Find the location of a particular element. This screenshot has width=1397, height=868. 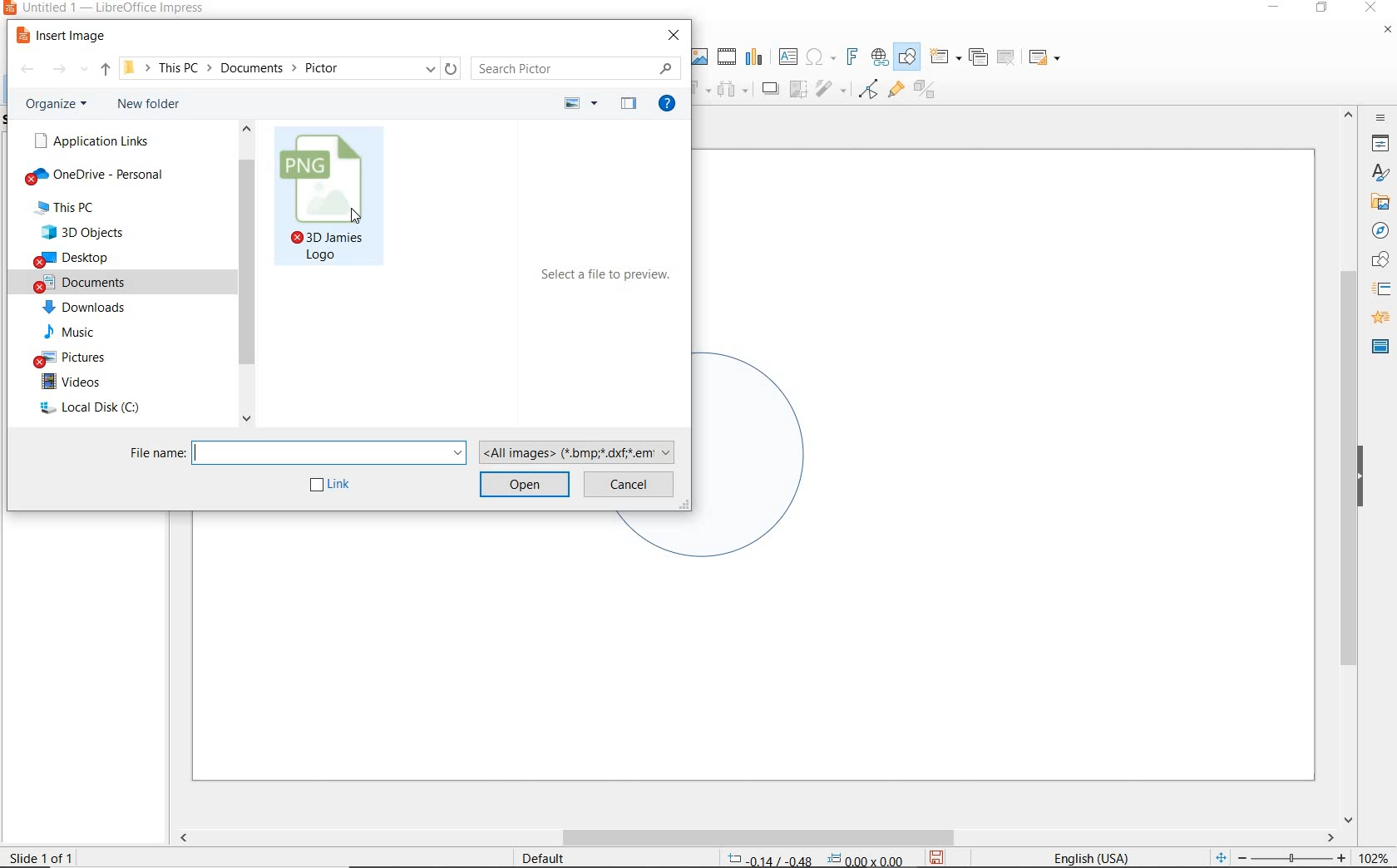

3d objects is located at coordinates (96, 232).